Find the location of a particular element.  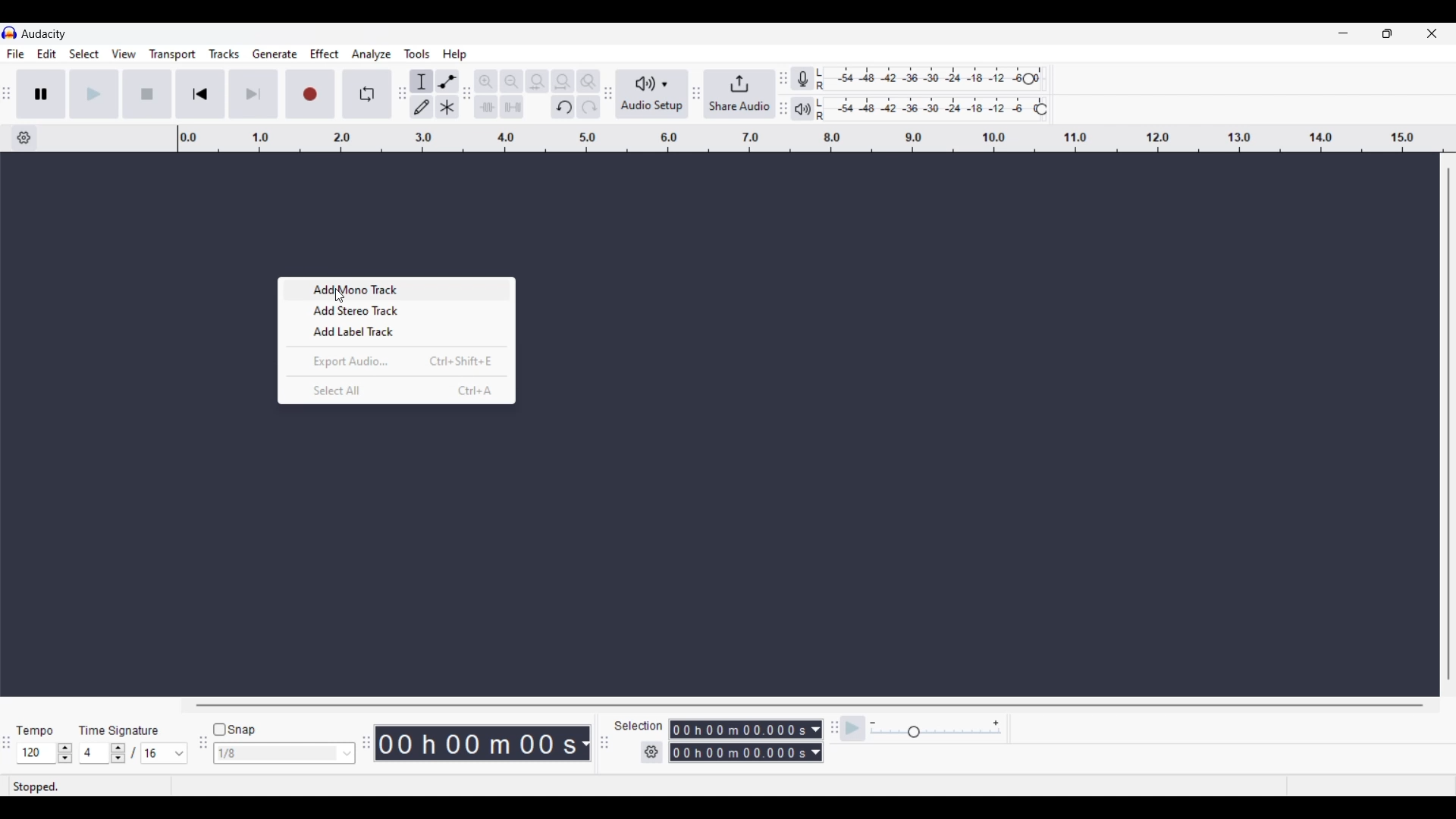

Fit selection to width is located at coordinates (537, 82).